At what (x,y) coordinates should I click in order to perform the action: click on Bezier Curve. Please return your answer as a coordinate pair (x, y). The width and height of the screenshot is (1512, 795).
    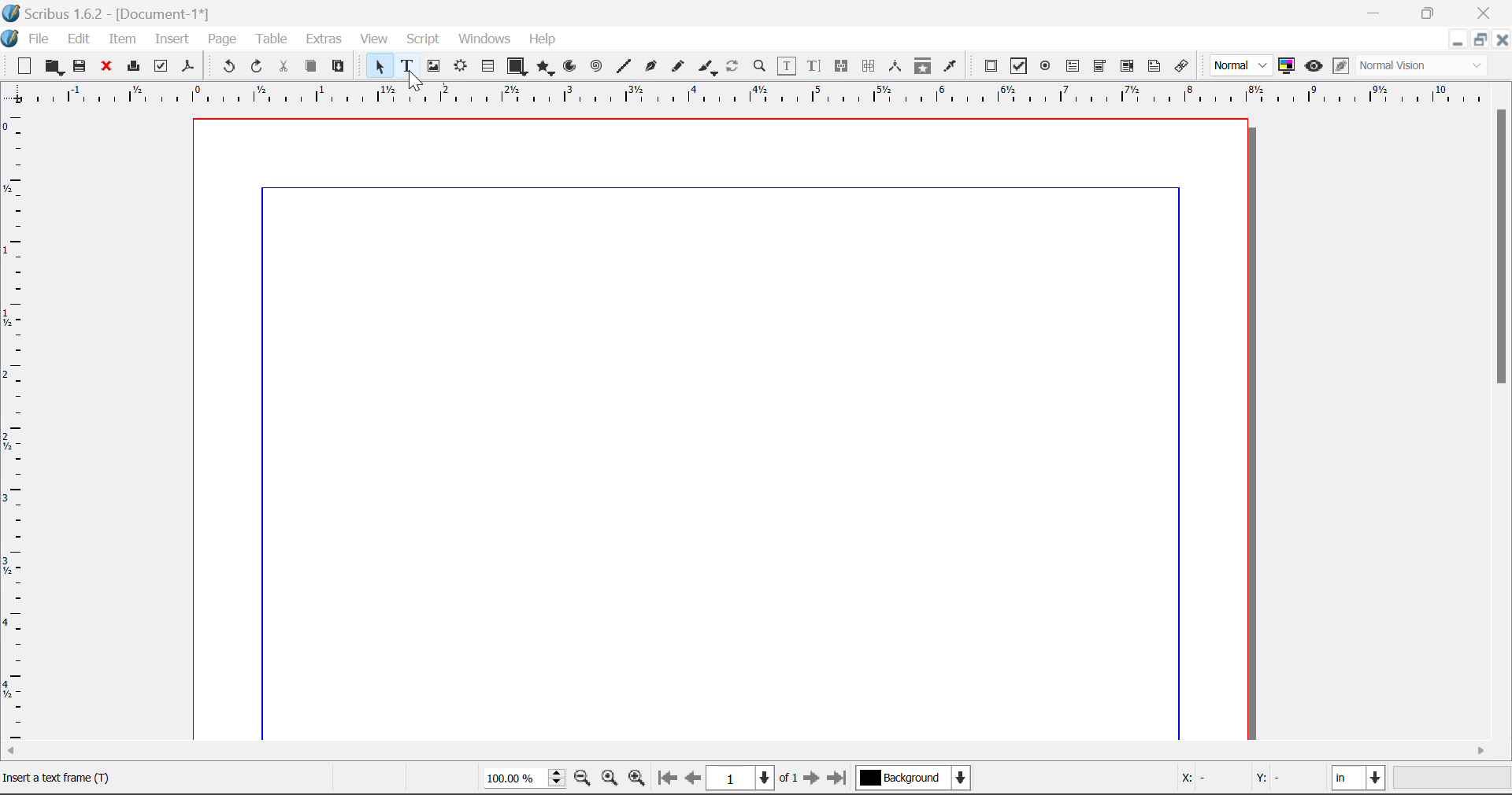
    Looking at the image, I should click on (649, 66).